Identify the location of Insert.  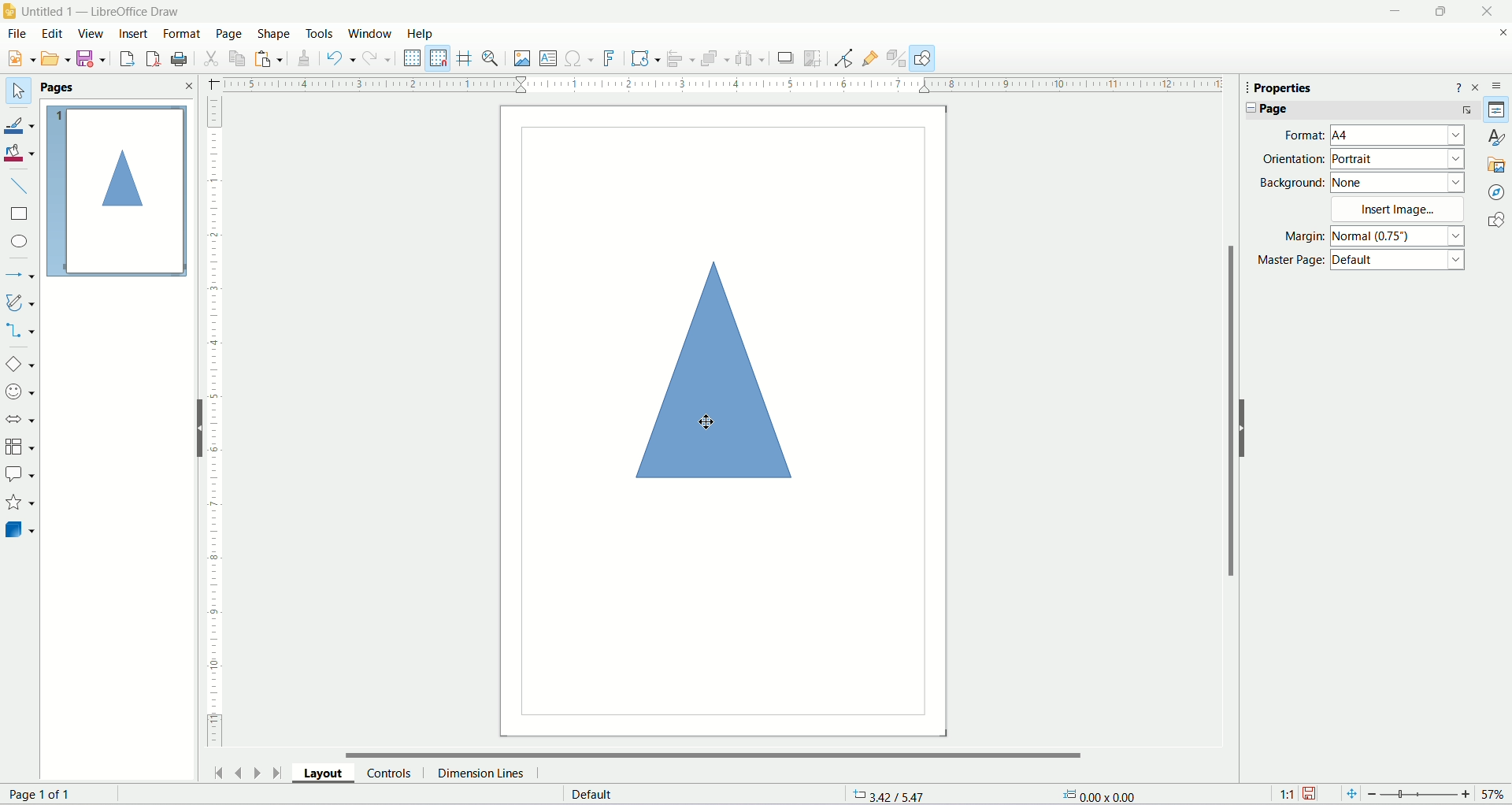
(133, 34).